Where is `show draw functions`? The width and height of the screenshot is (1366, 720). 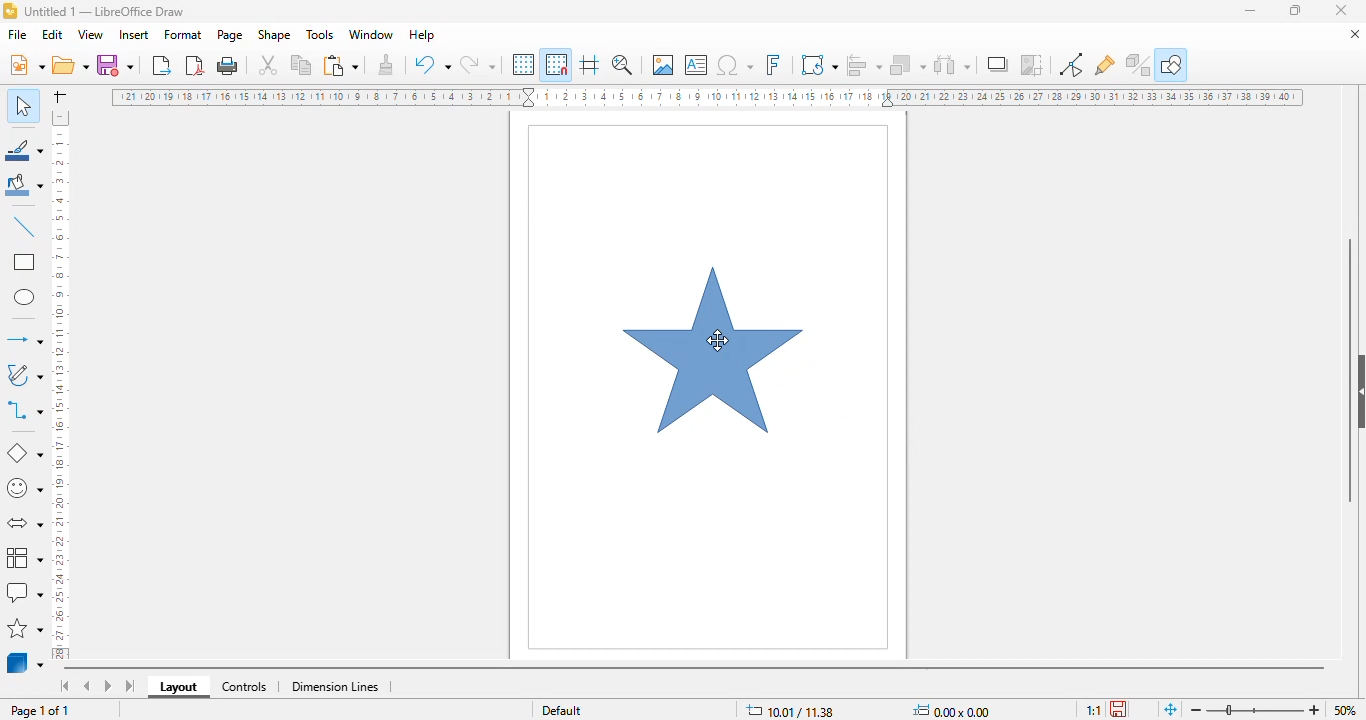
show draw functions is located at coordinates (1171, 64).